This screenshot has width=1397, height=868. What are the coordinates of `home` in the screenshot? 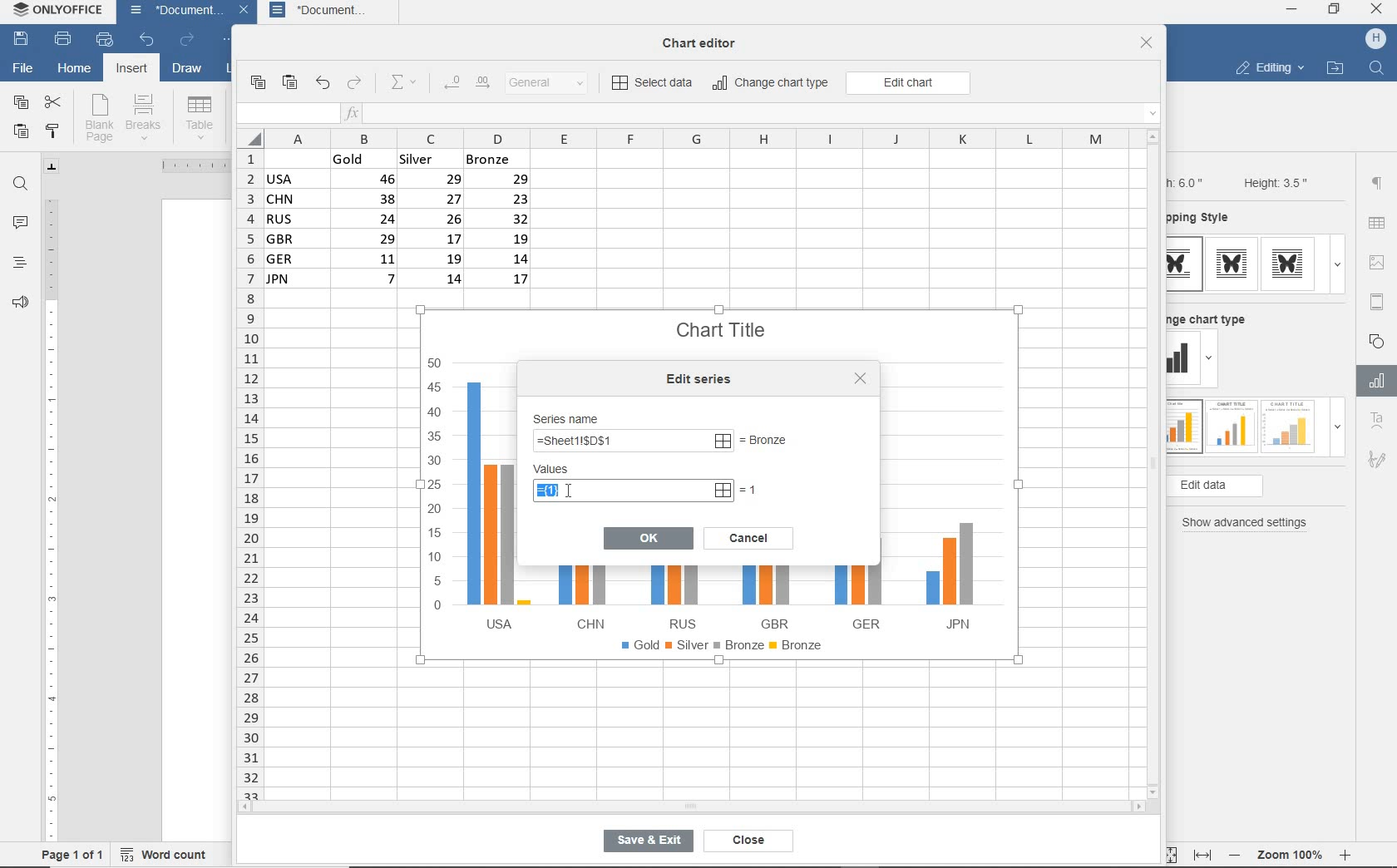 It's located at (74, 71).